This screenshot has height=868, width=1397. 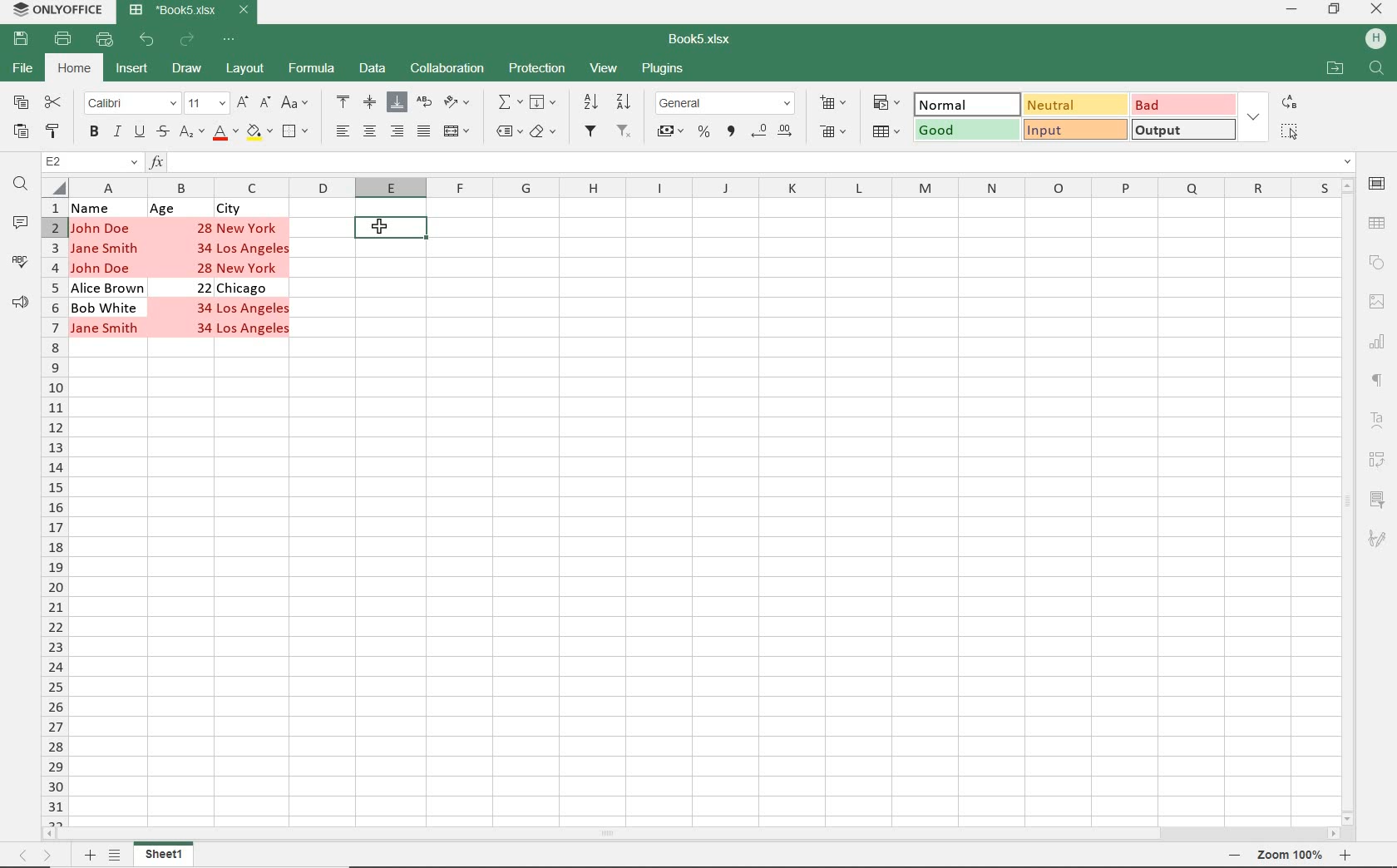 What do you see at coordinates (1379, 539) in the screenshot?
I see `SIGNATURE` at bounding box center [1379, 539].